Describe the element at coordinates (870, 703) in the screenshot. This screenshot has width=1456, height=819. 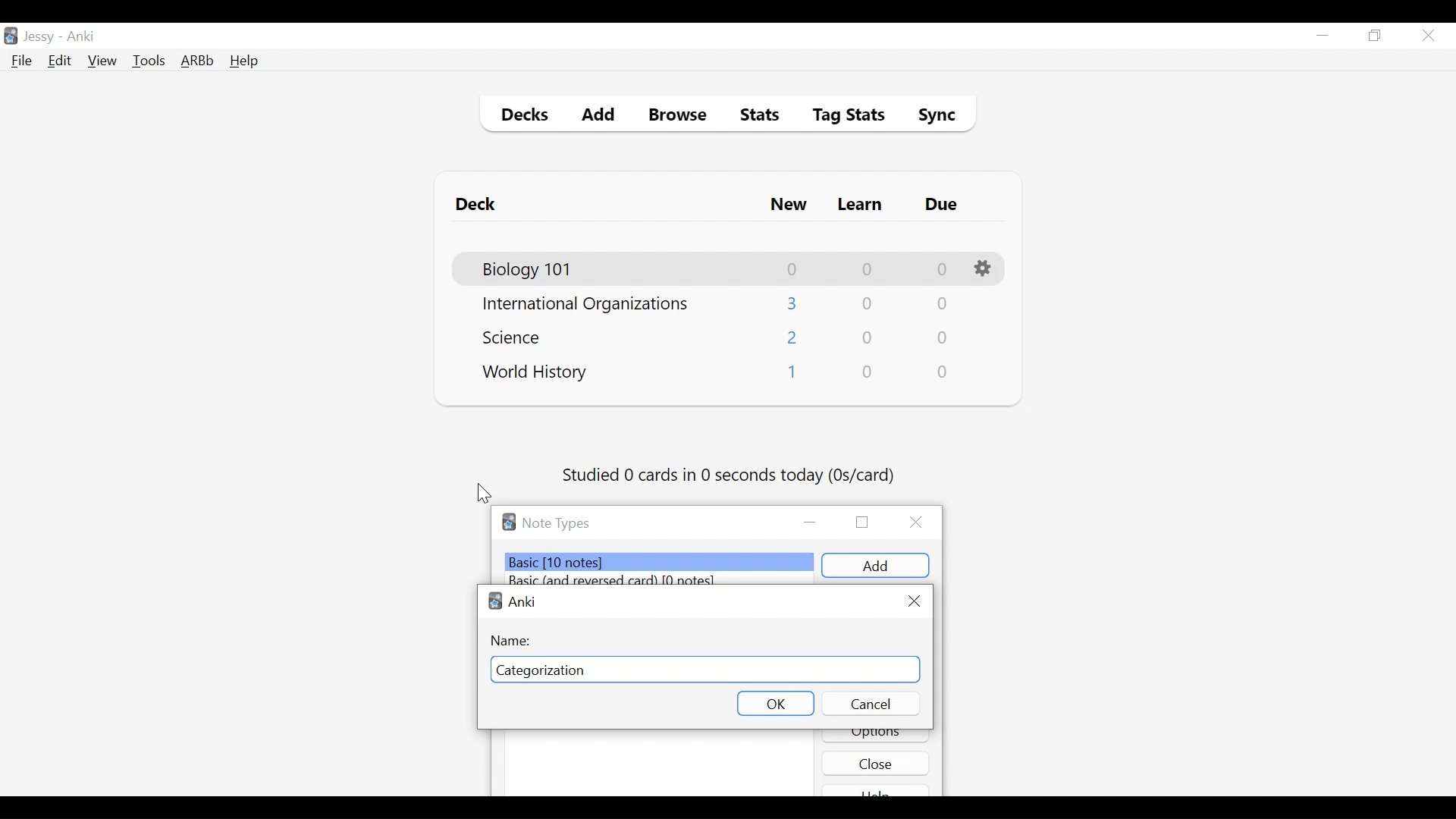
I see `Cancel` at that location.